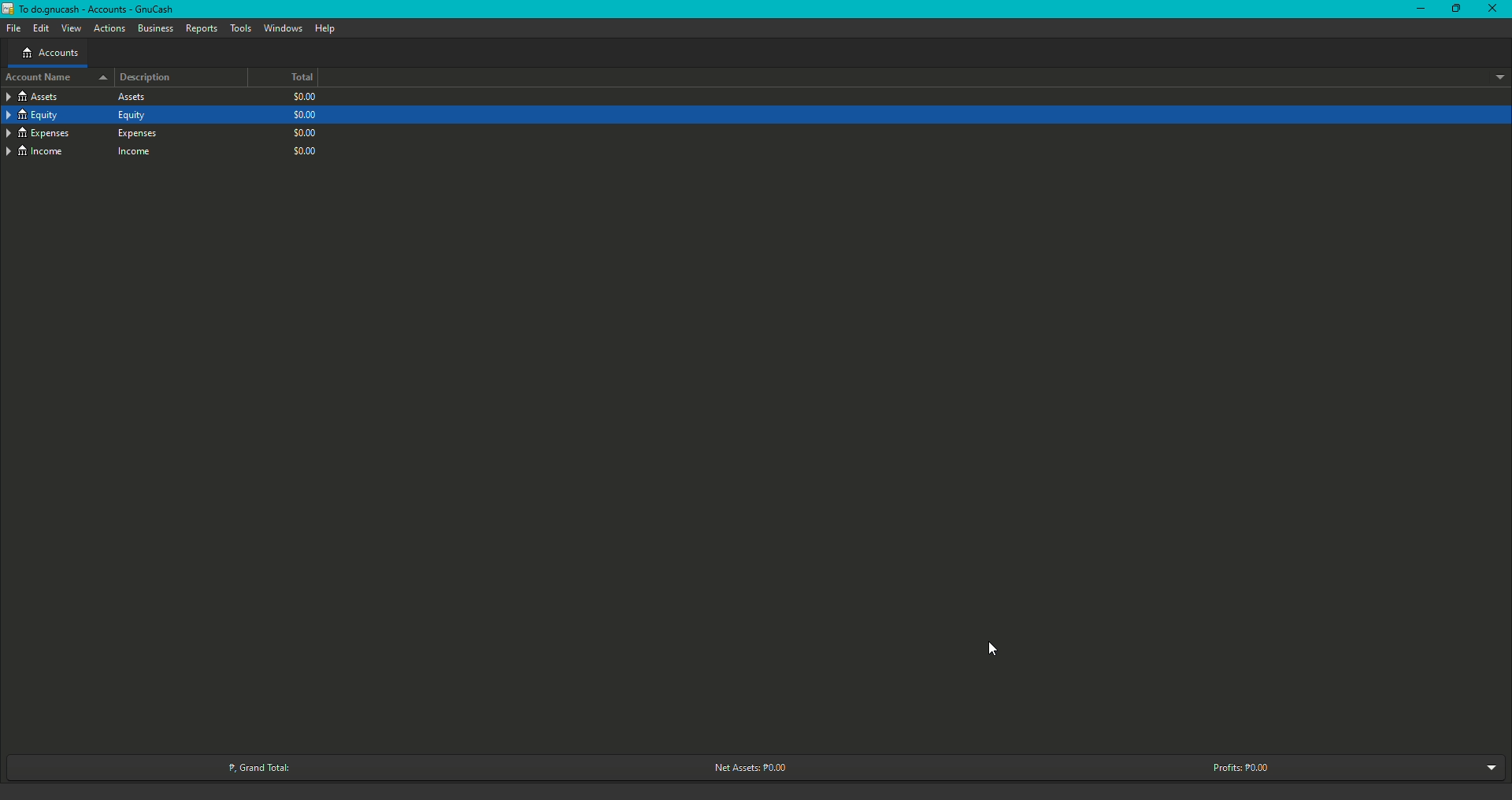 The height and width of the screenshot is (800, 1512). I want to click on Minimize, so click(1415, 9).